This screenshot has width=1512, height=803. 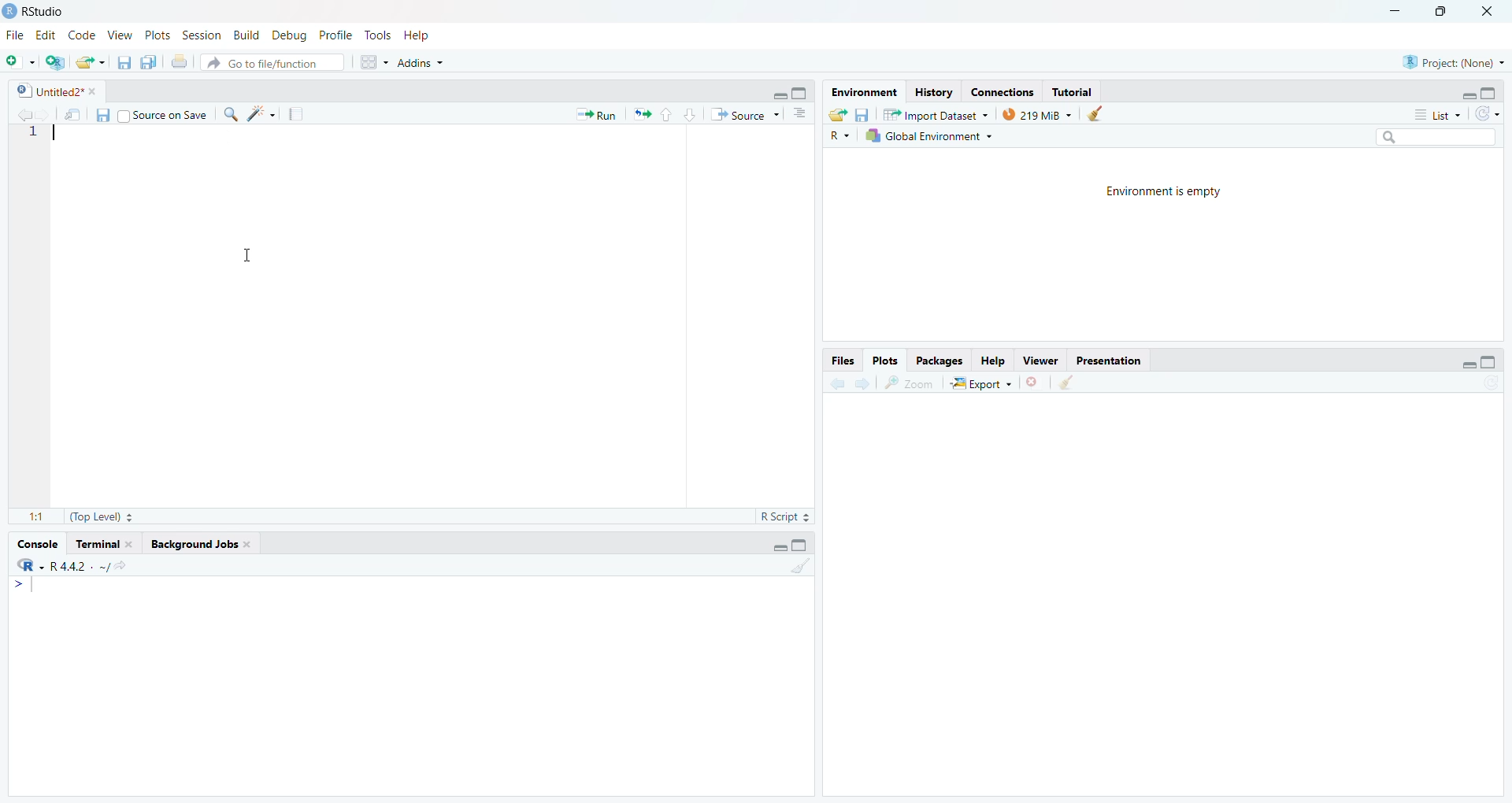 What do you see at coordinates (690, 114) in the screenshot?
I see `Go to next section` at bounding box center [690, 114].